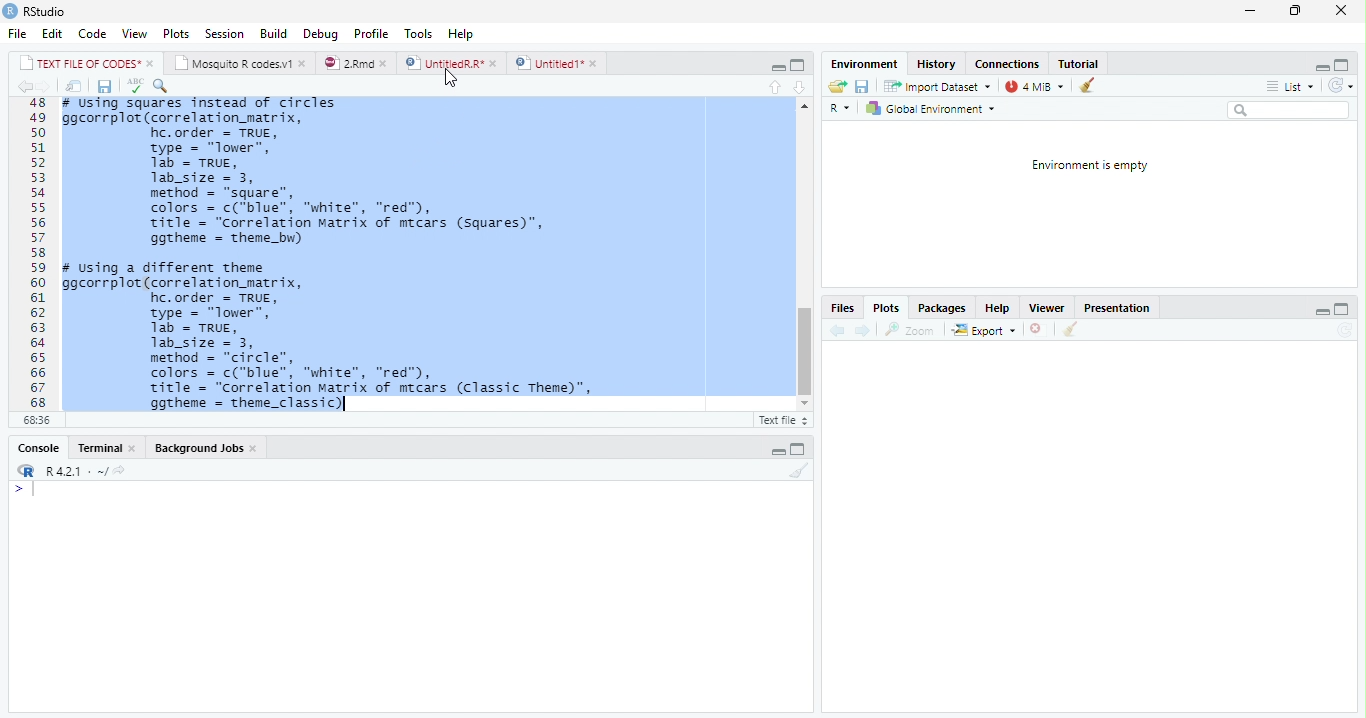 The width and height of the screenshot is (1366, 718). Describe the element at coordinates (1344, 310) in the screenshot. I see `hide console` at that location.